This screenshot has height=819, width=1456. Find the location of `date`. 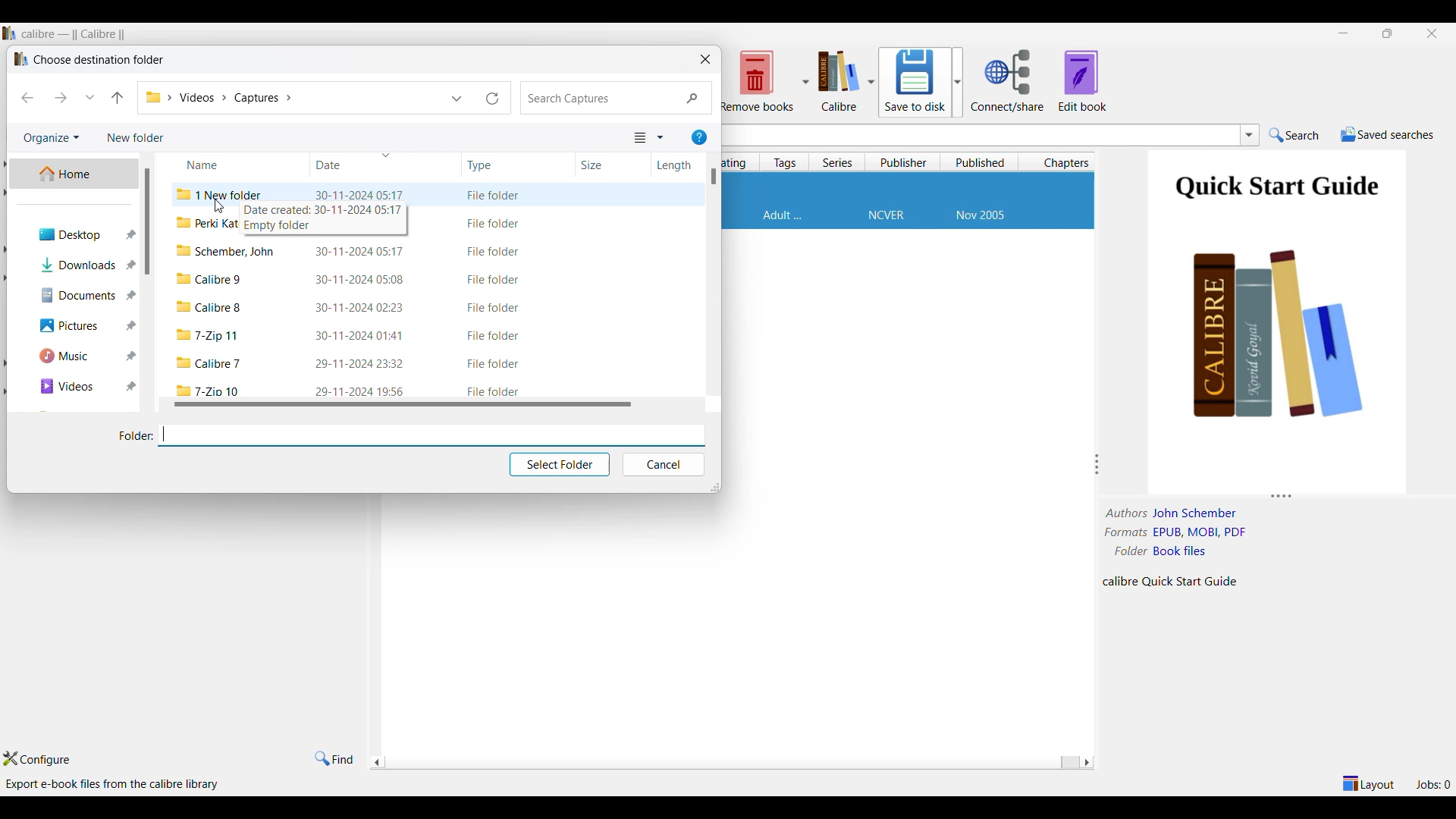

date is located at coordinates (362, 281).